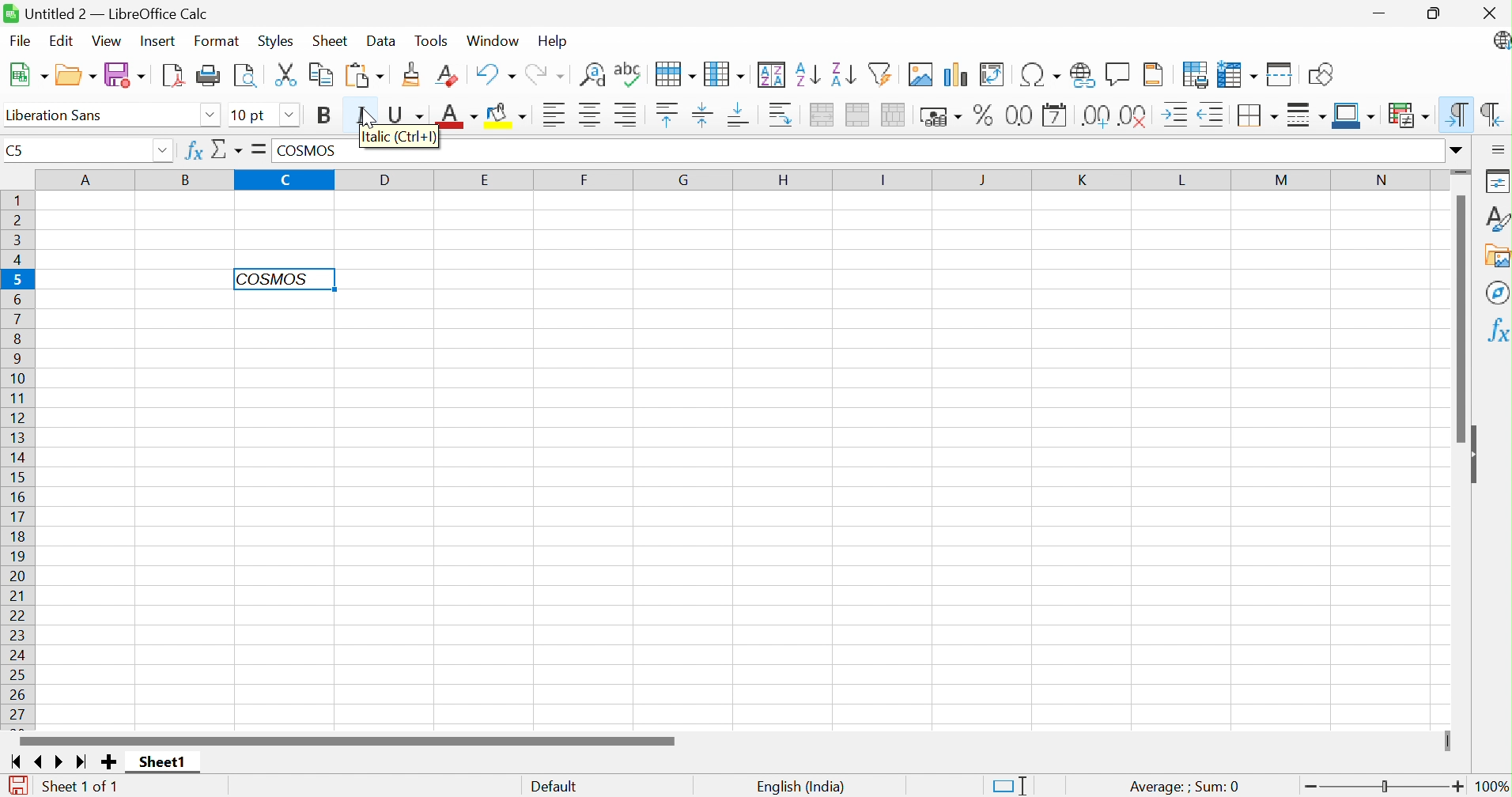 The image size is (1512, 797). Describe the element at coordinates (127, 74) in the screenshot. I see `Save` at that location.